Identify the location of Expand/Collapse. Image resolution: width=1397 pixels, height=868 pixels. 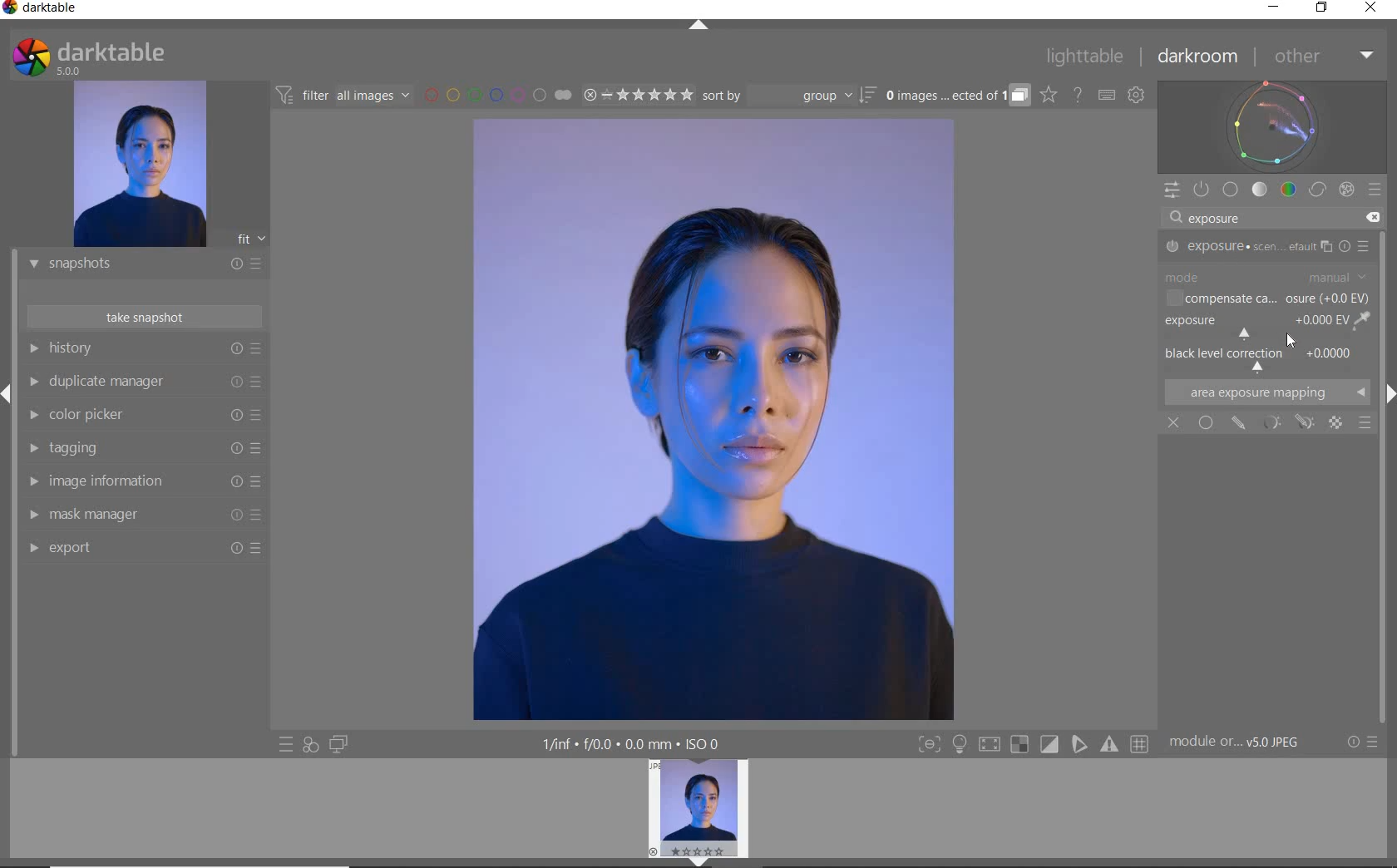
(1388, 392).